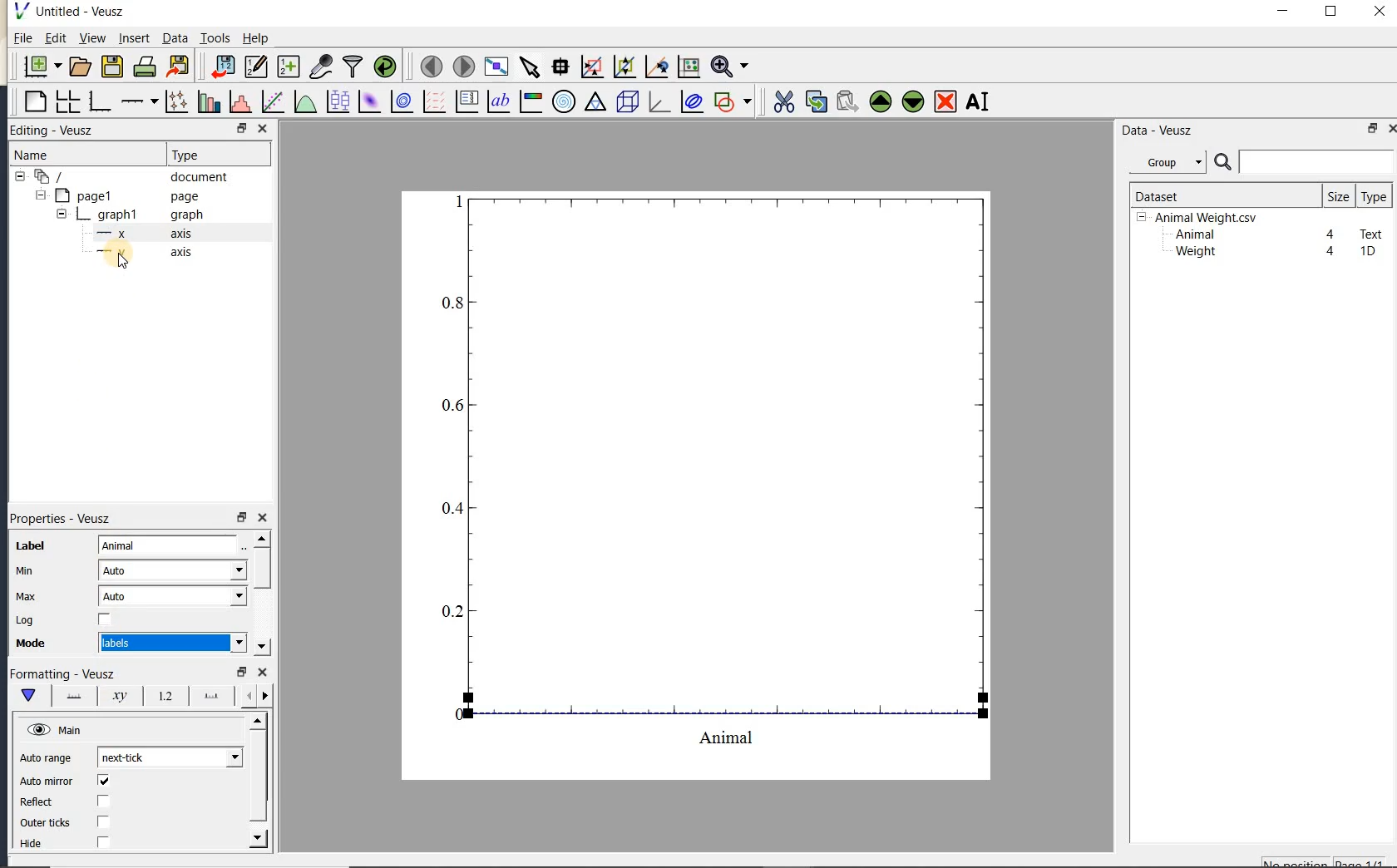 The width and height of the screenshot is (1397, 868). Describe the element at coordinates (1374, 128) in the screenshot. I see `restore` at that location.